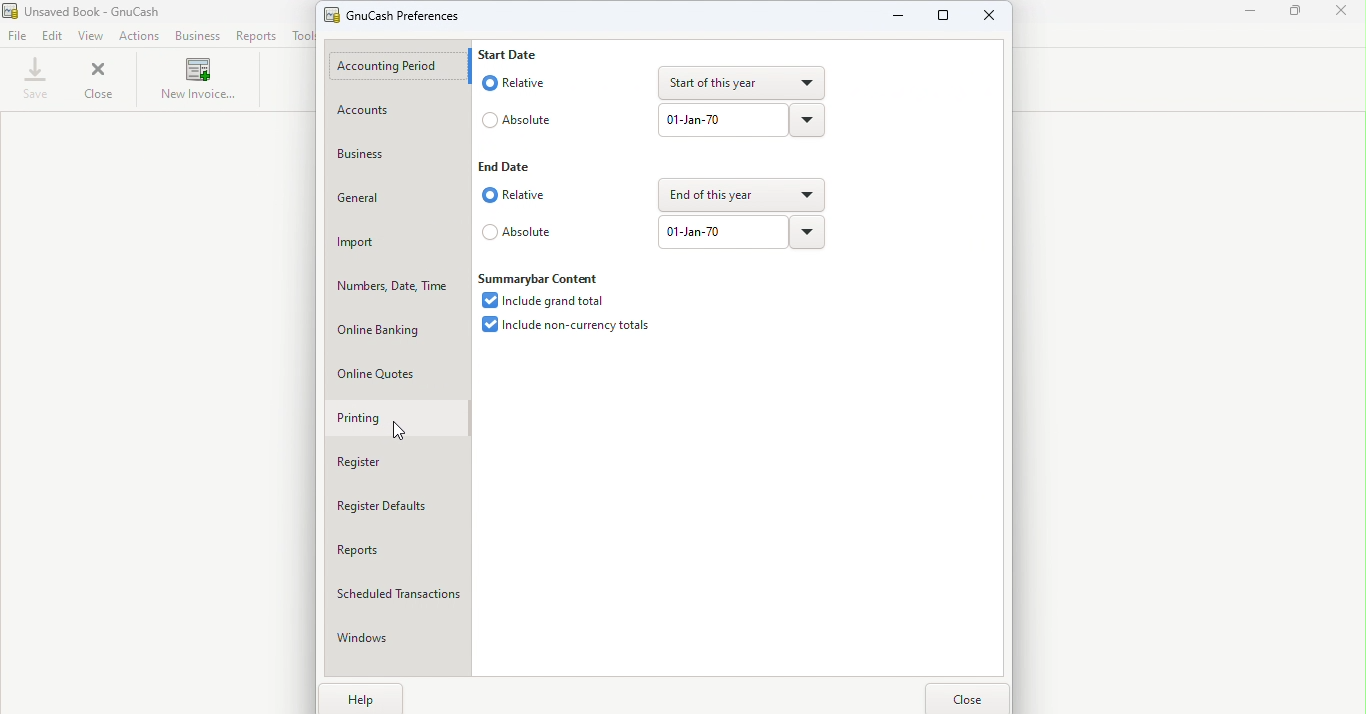 The width and height of the screenshot is (1366, 714). What do you see at coordinates (545, 301) in the screenshot?
I see `Include grand total` at bounding box center [545, 301].